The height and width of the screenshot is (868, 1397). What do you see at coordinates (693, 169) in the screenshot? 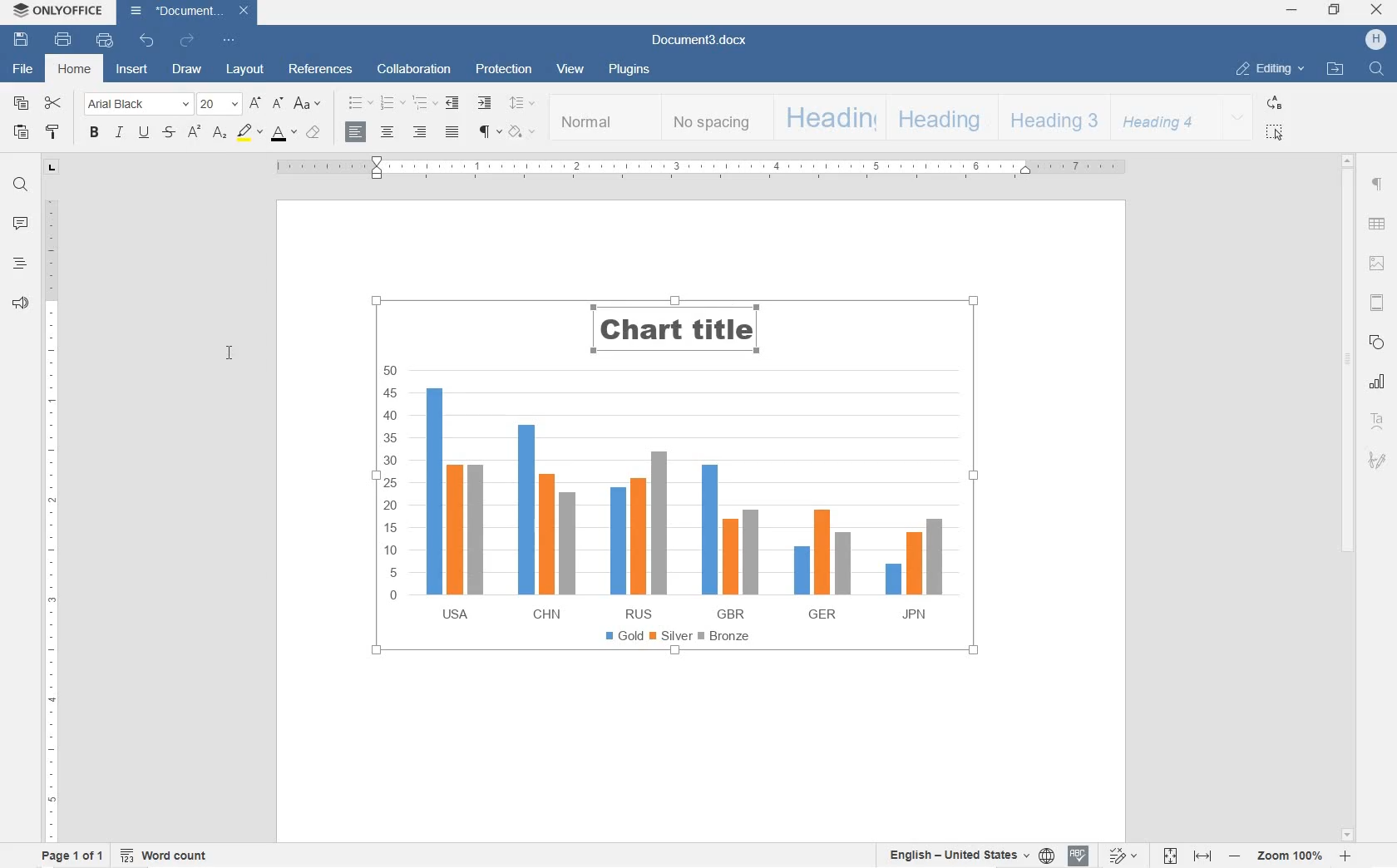
I see `RULER` at bounding box center [693, 169].